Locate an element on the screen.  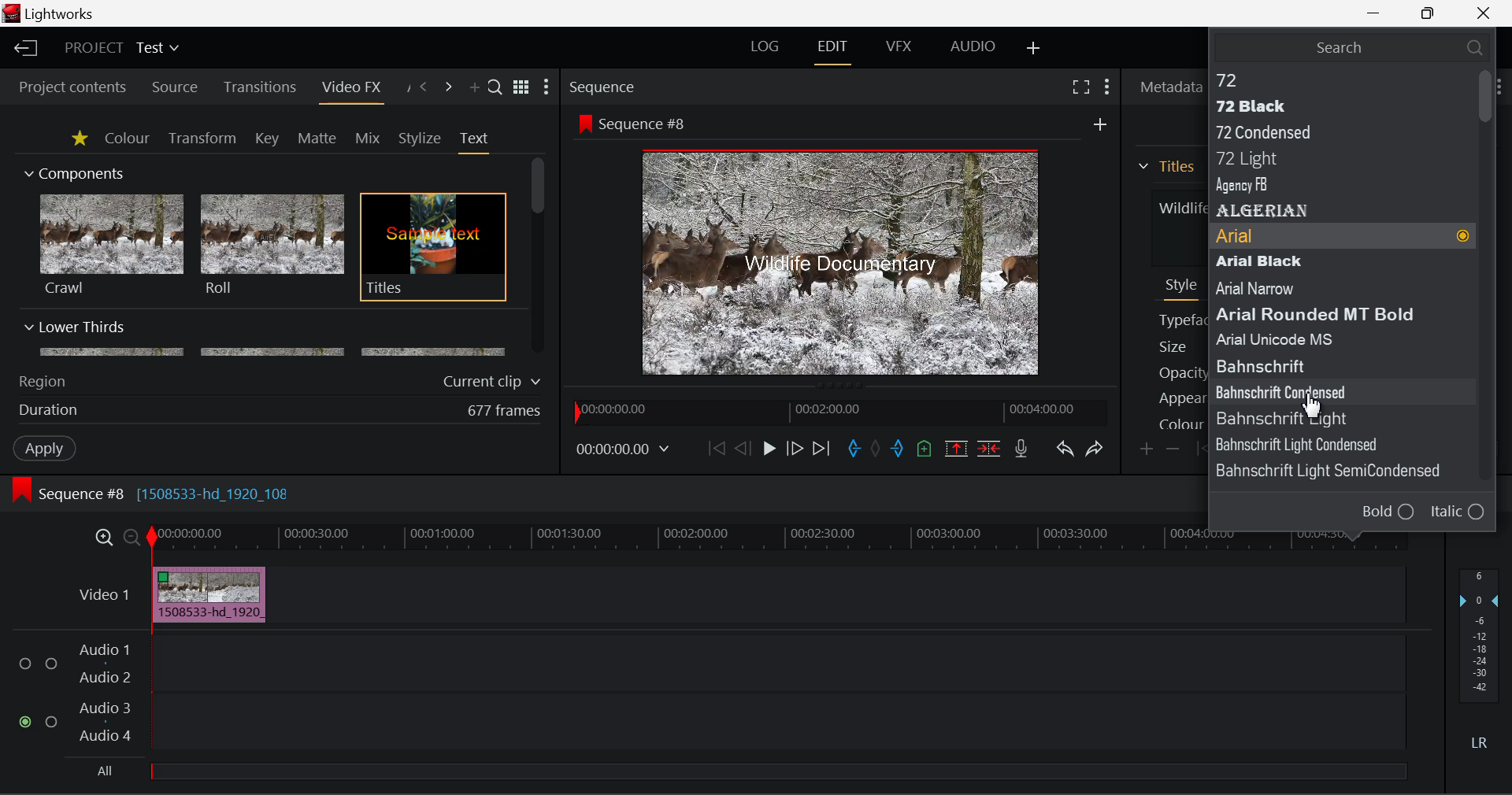
Audio 3 is located at coordinates (104, 707).